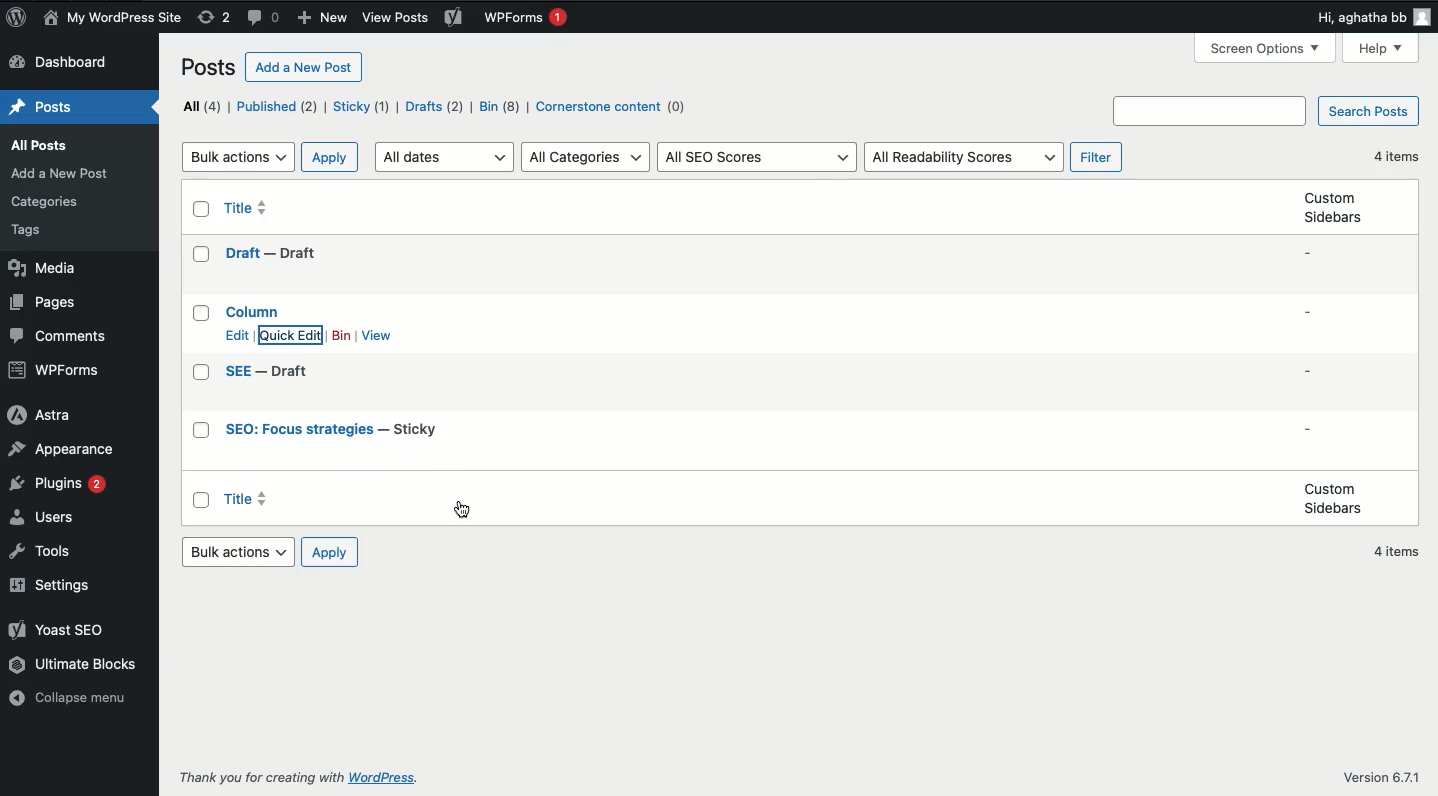 This screenshot has width=1438, height=796. Describe the element at coordinates (41, 268) in the screenshot. I see `Media` at that location.